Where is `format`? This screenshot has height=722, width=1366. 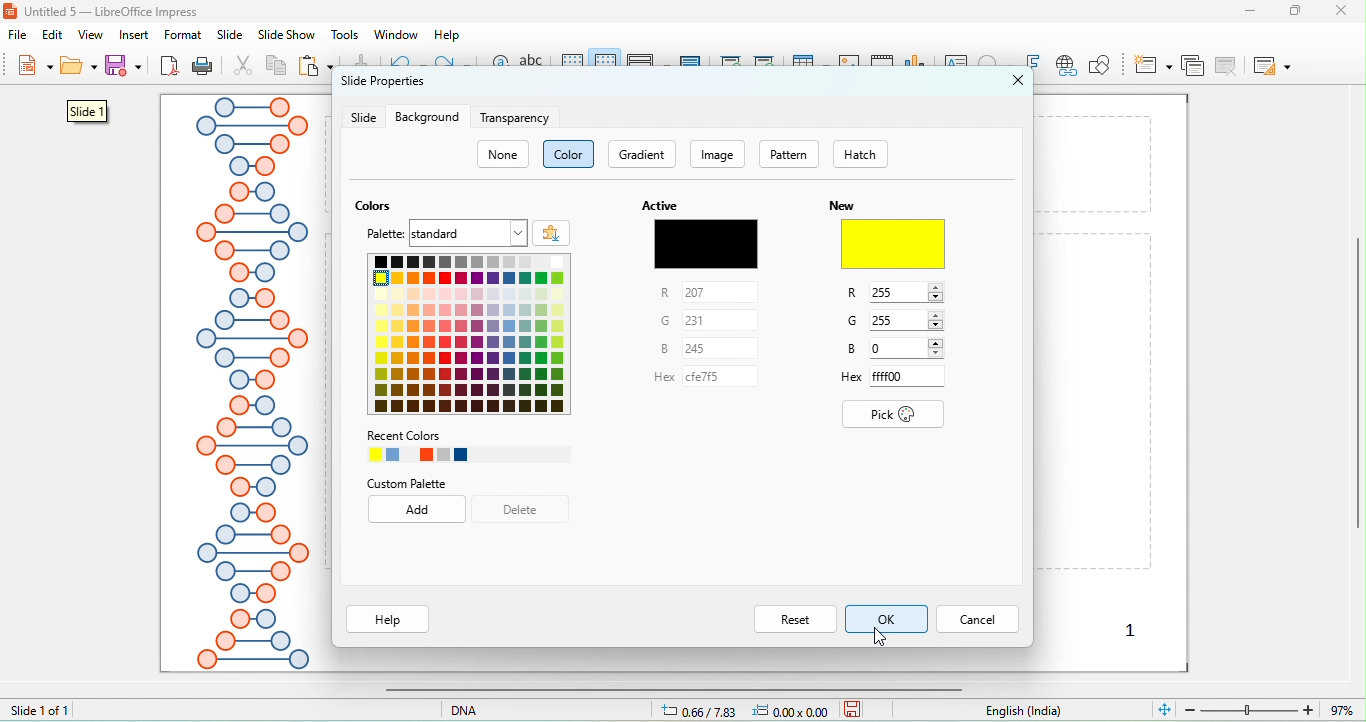 format is located at coordinates (183, 35).